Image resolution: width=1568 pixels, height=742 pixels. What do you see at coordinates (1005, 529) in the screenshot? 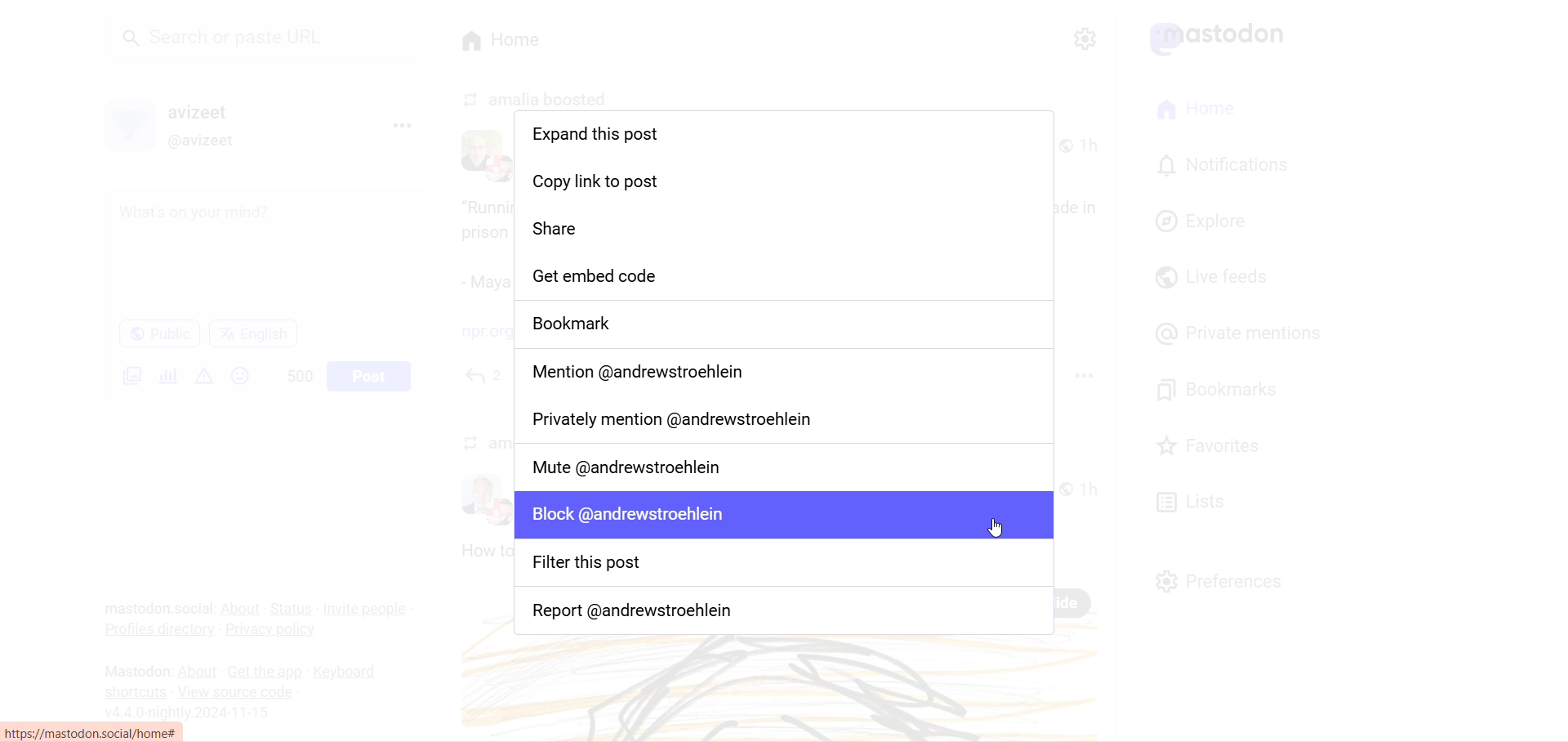
I see `cursor` at bounding box center [1005, 529].